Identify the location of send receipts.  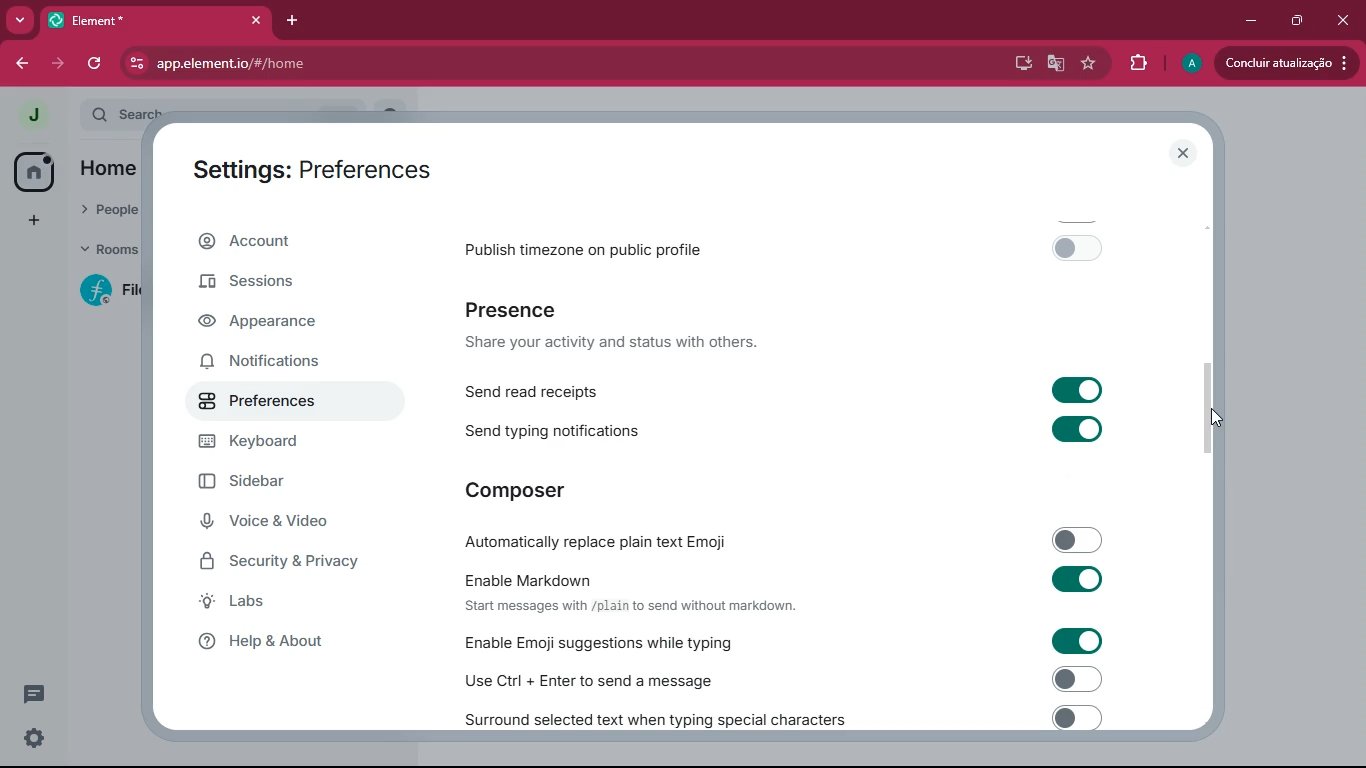
(788, 389).